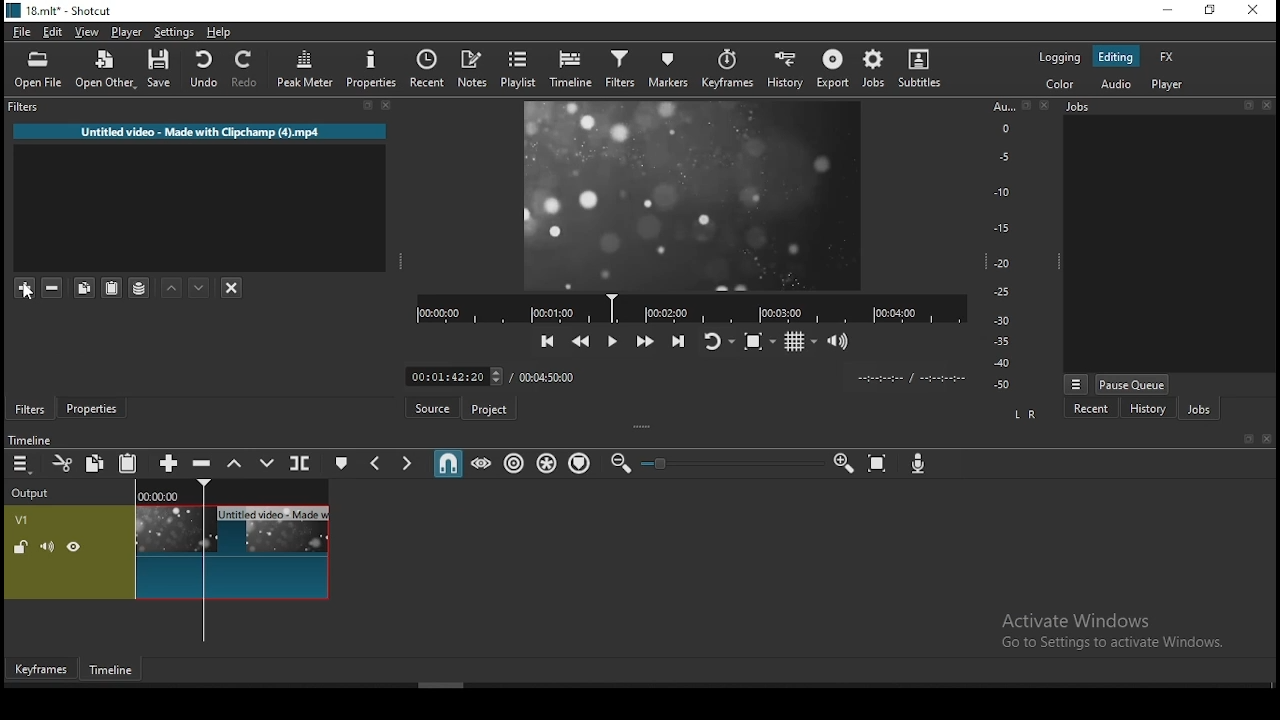 The width and height of the screenshot is (1280, 720). Describe the element at coordinates (301, 462) in the screenshot. I see `split at playhead` at that location.